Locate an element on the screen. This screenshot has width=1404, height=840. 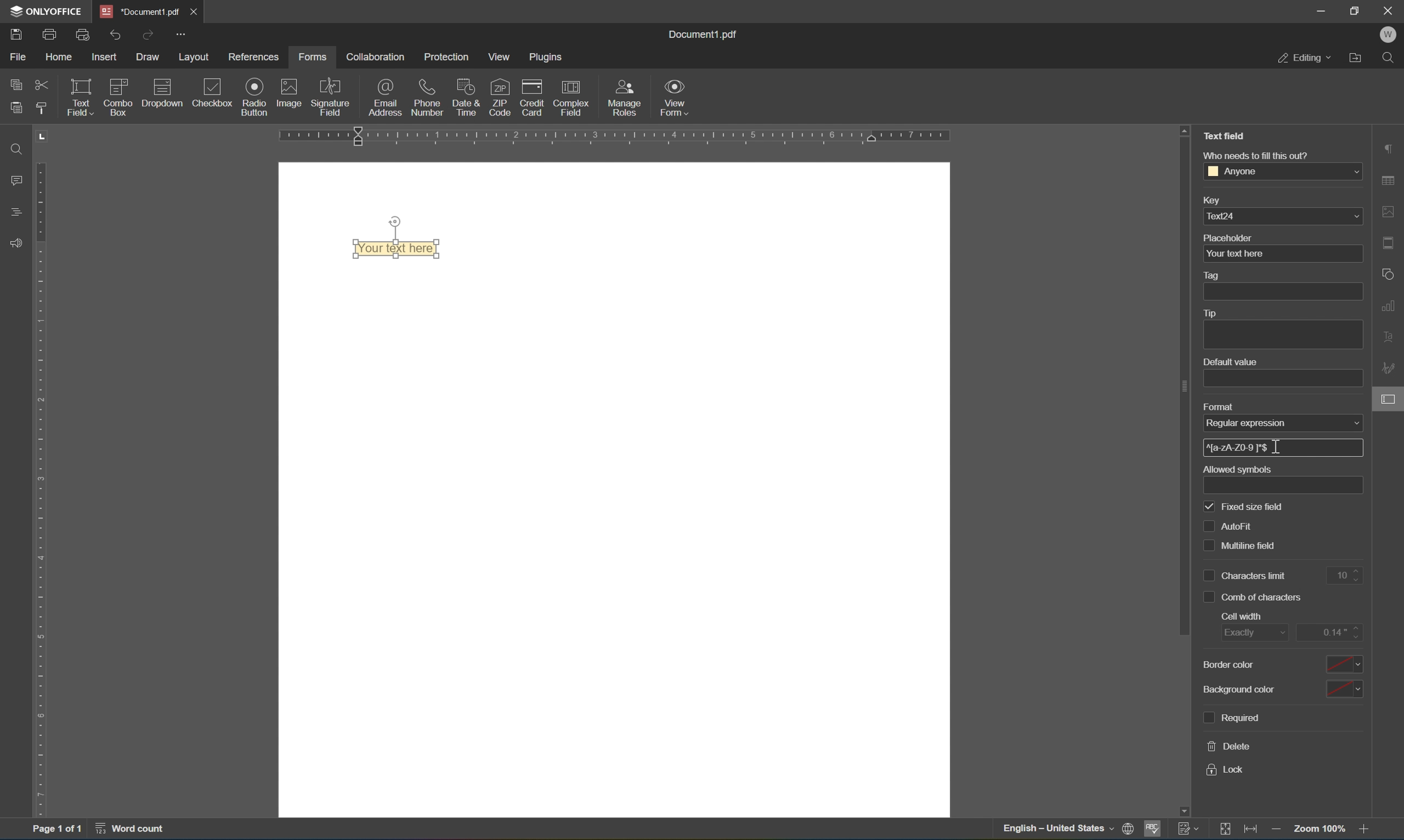
email address is located at coordinates (386, 97).